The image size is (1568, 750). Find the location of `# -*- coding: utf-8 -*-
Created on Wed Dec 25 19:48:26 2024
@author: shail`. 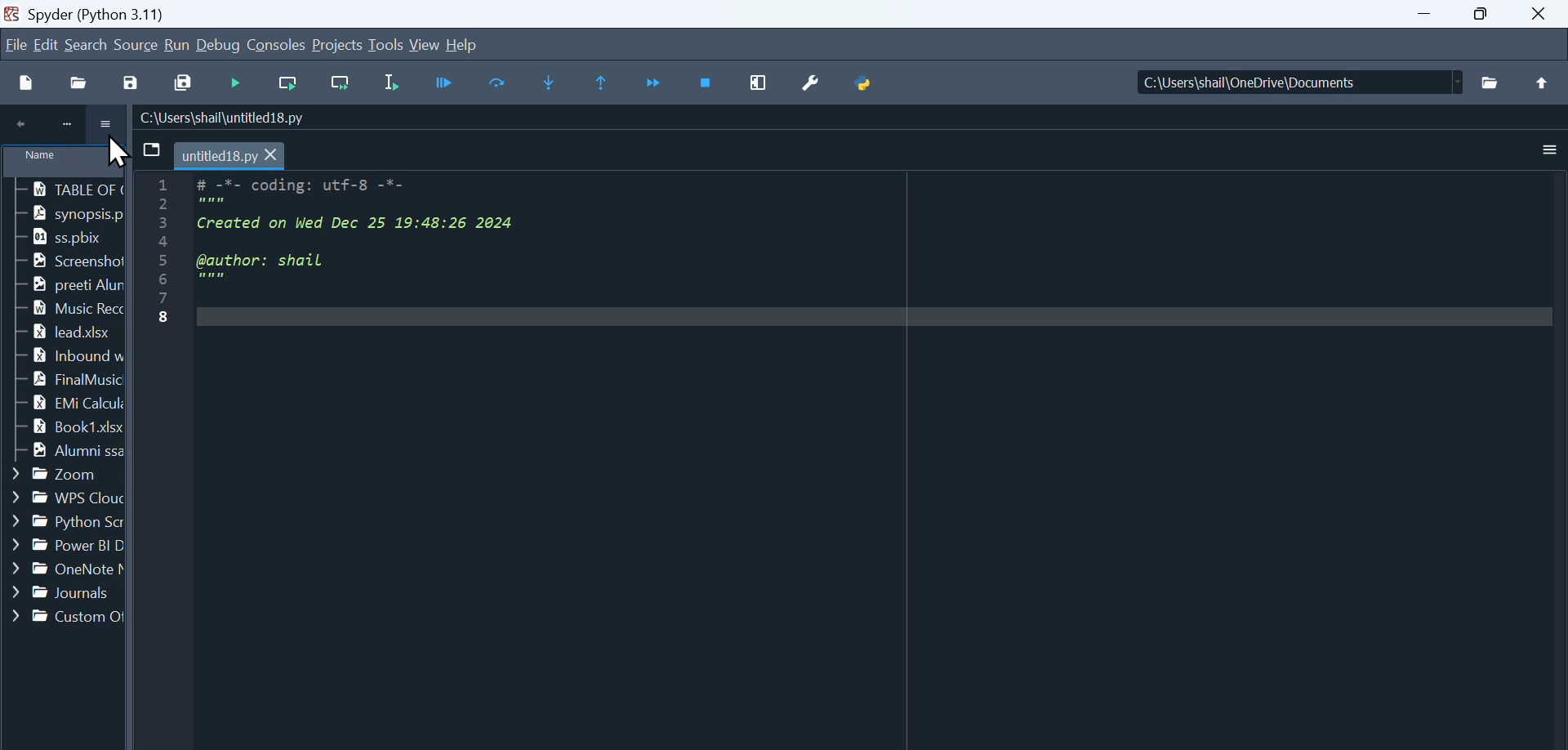

# -*- coding: utf-8 -*-
Created on Wed Dec 25 19:48:26 2024
@author: shail is located at coordinates (866, 452).